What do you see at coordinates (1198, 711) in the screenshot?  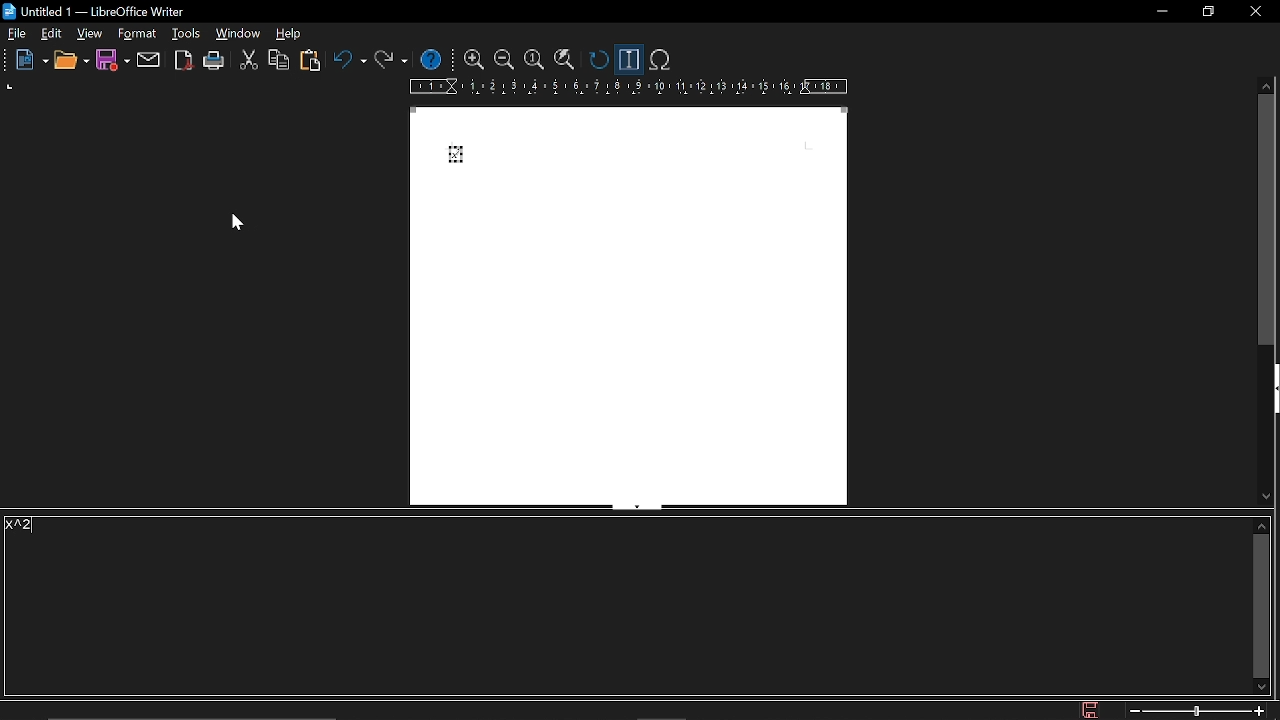 I see `change zoom` at bounding box center [1198, 711].